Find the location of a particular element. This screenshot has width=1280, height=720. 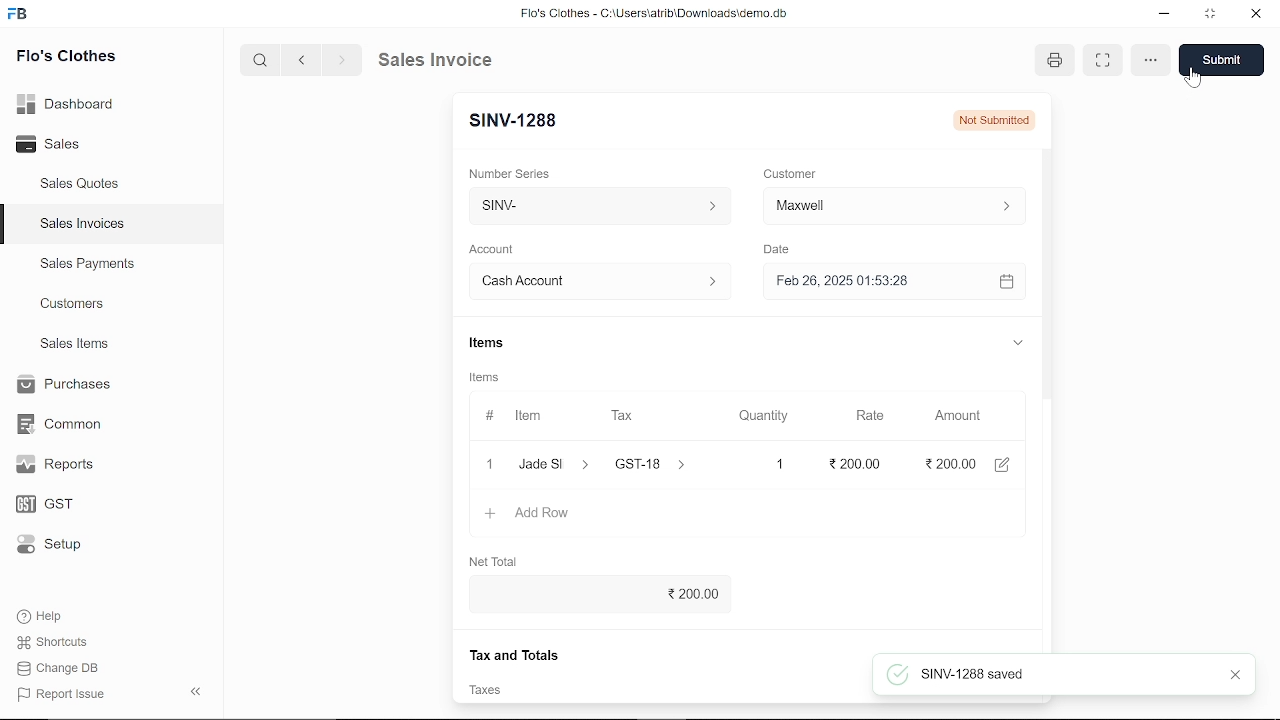

Sales Invoices is located at coordinates (89, 226).